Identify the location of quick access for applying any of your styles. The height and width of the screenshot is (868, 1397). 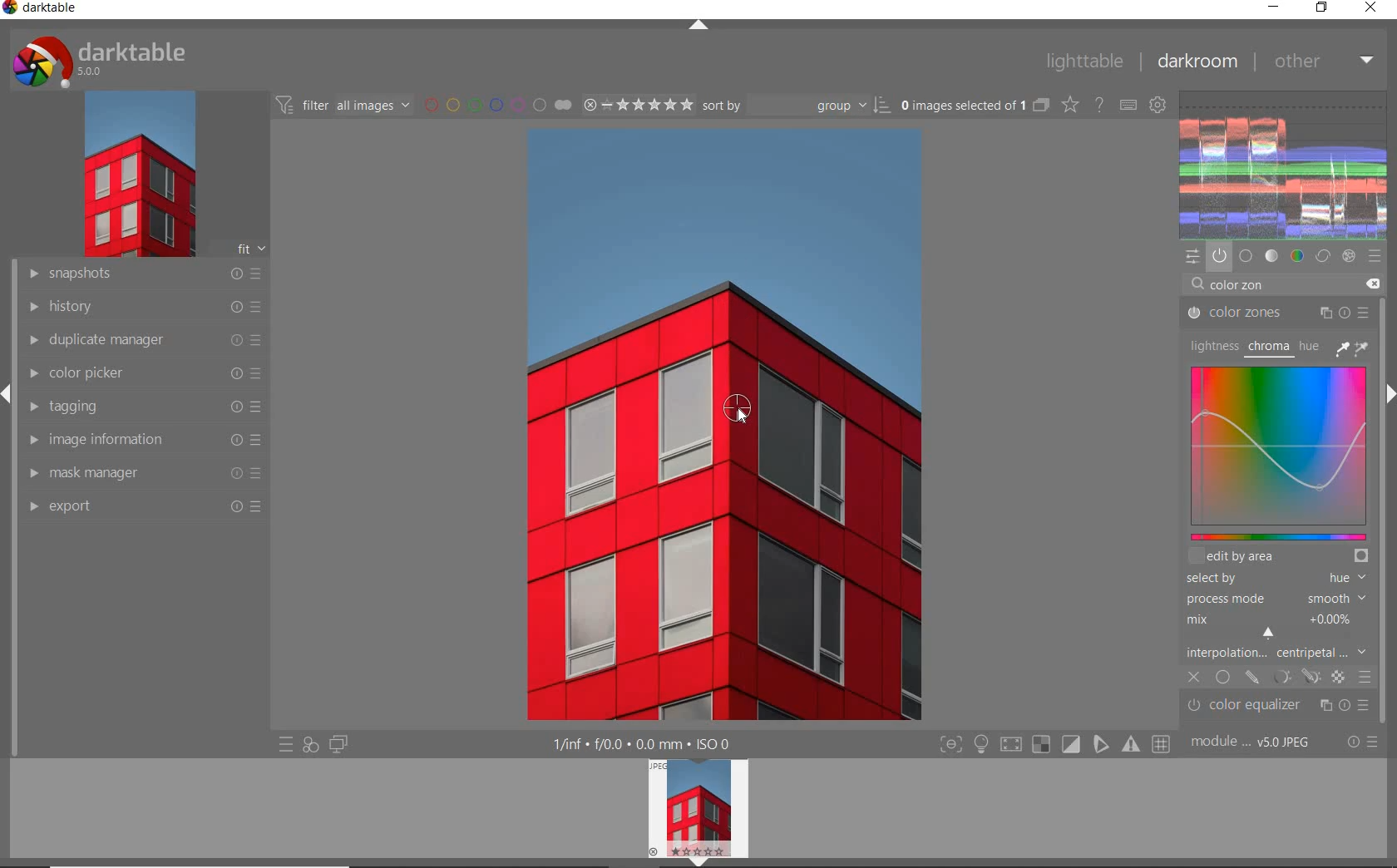
(311, 744).